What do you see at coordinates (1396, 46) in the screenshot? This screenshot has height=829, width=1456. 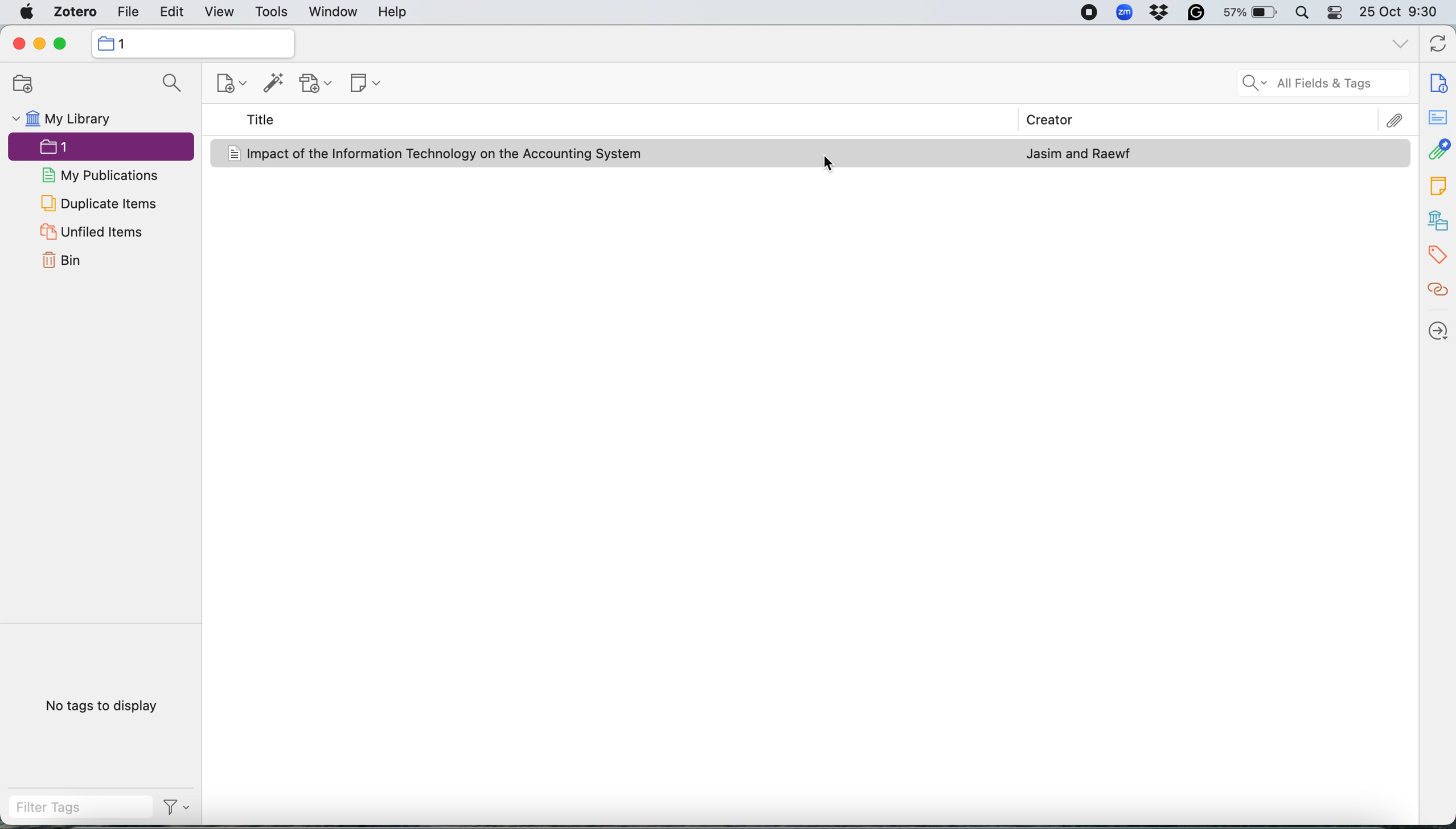 I see `list all tabs` at bounding box center [1396, 46].